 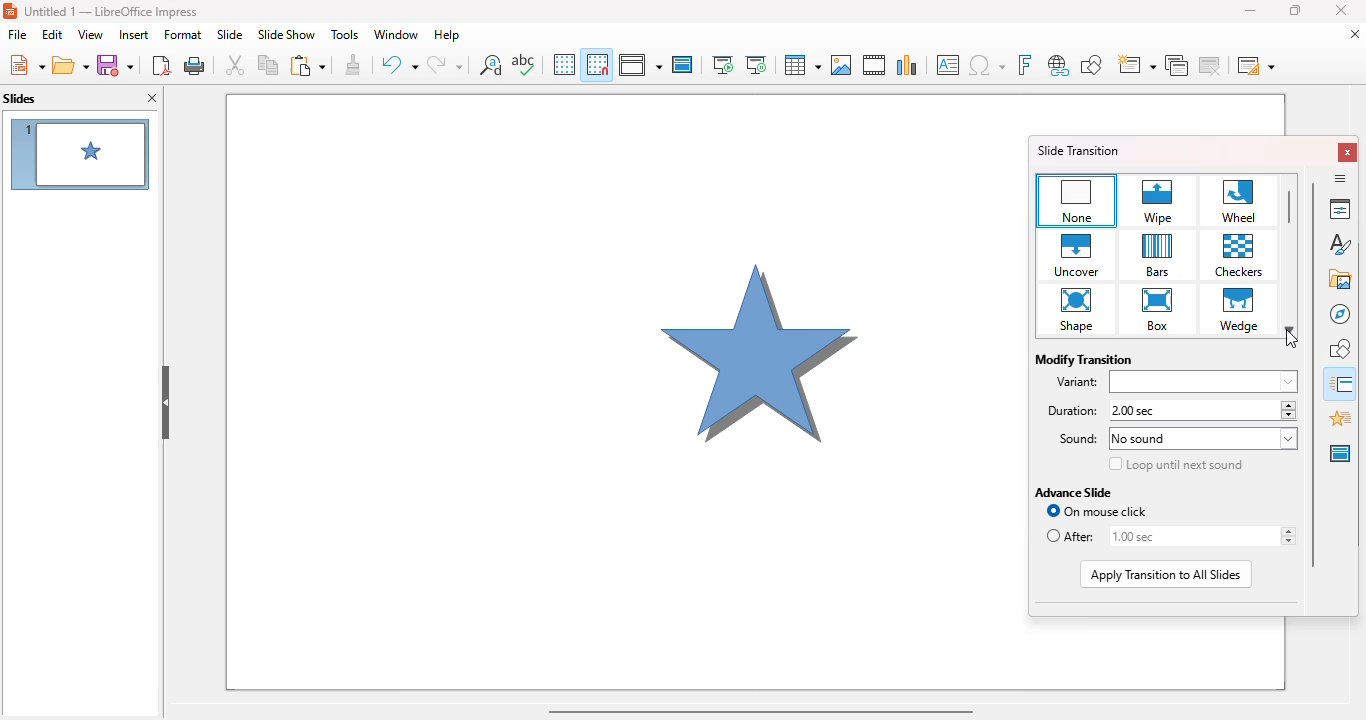 What do you see at coordinates (801, 64) in the screenshot?
I see `table` at bounding box center [801, 64].